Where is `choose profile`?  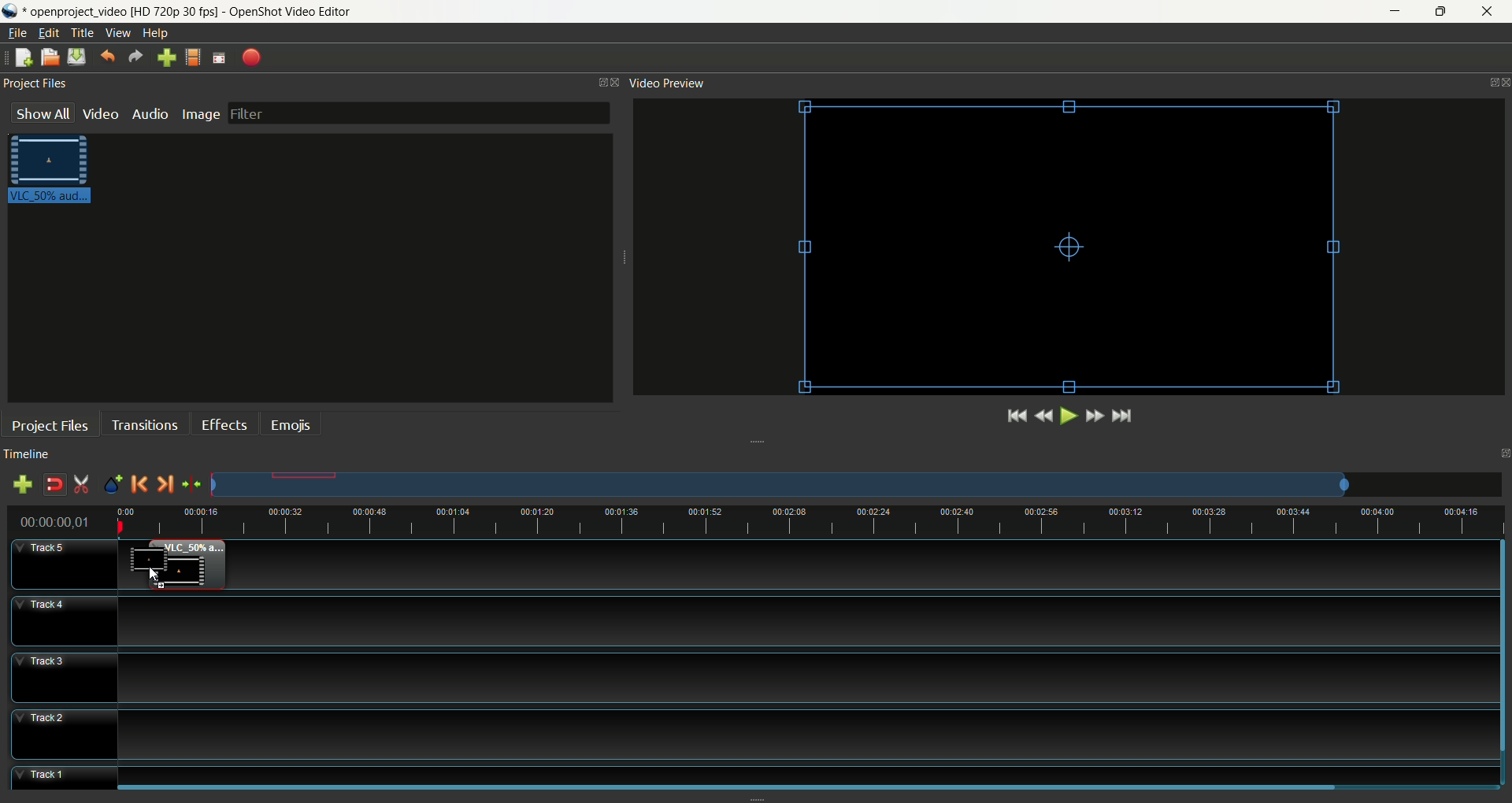 choose profile is located at coordinates (192, 57).